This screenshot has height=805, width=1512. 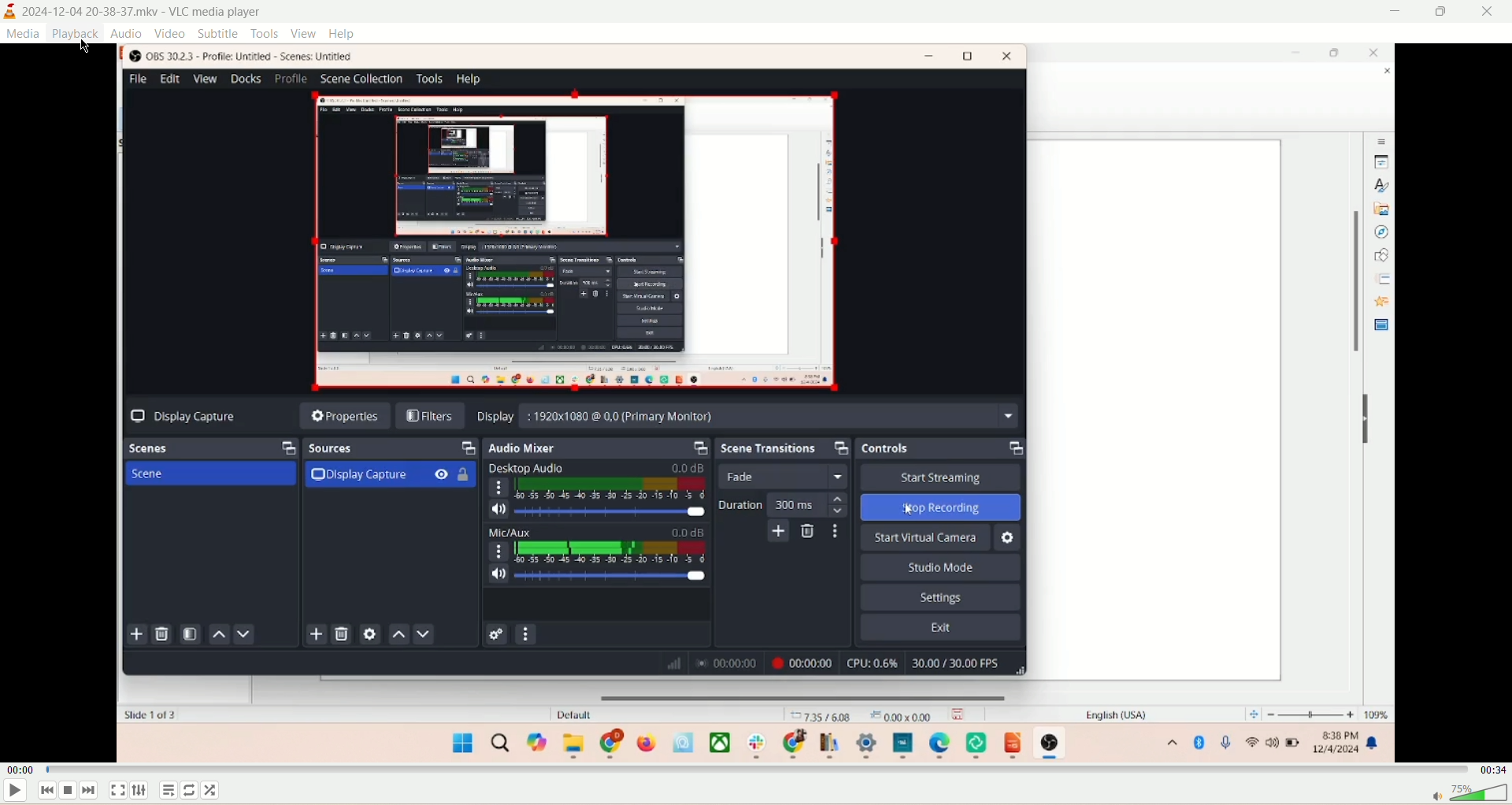 What do you see at coordinates (1466, 793) in the screenshot?
I see `volume bar` at bounding box center [1466, 793].